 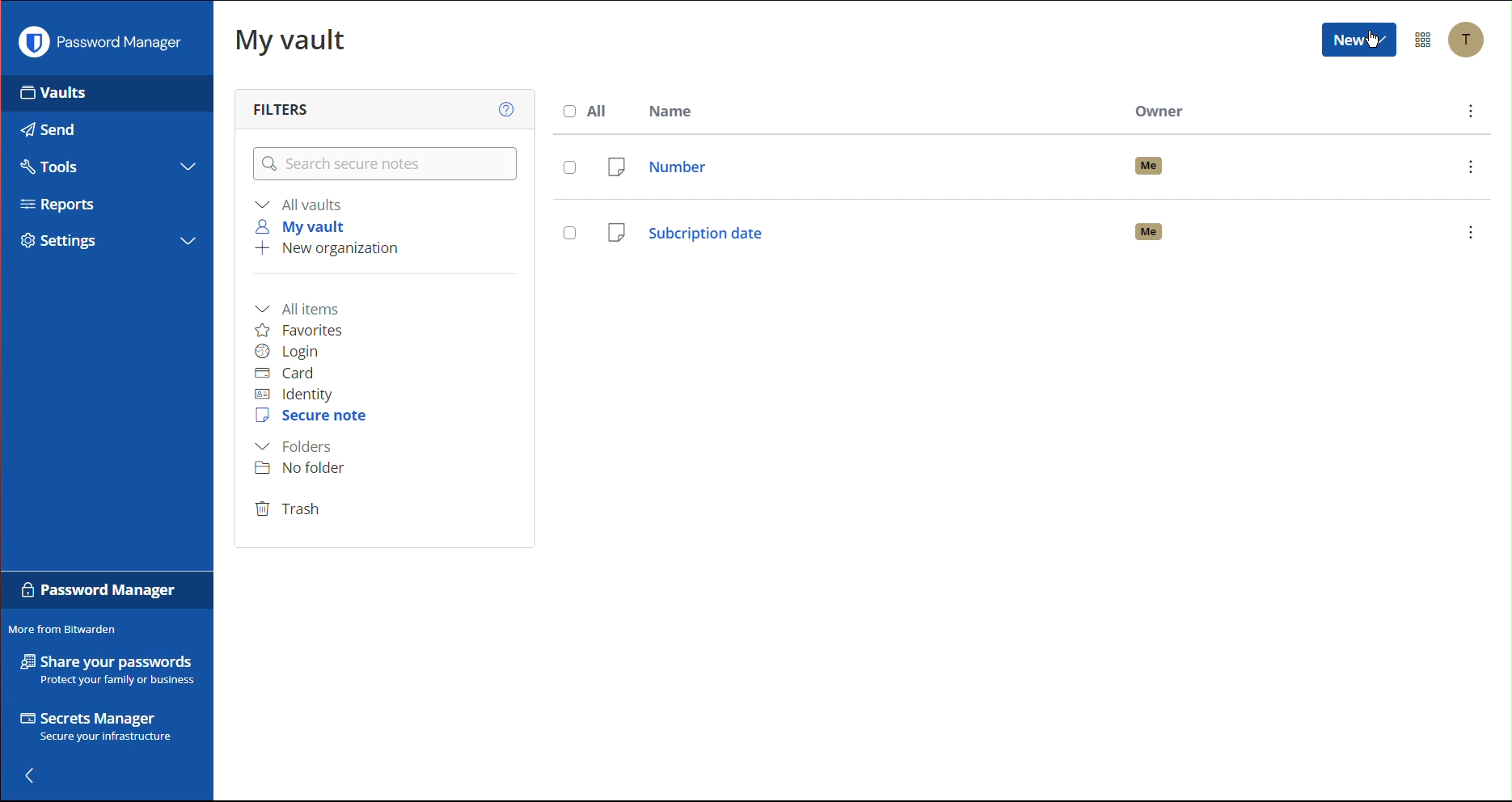 I want to click on Owner, so click(x=1162, y=112).